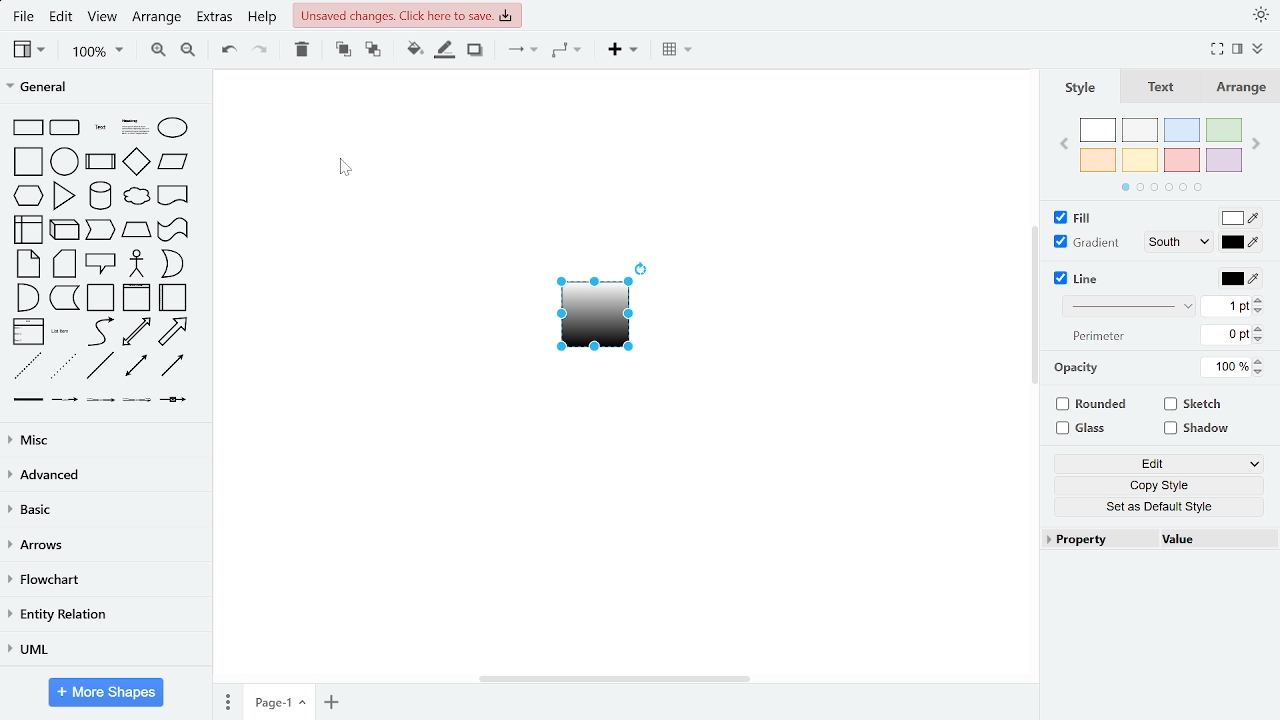 This screenshot has width=1280, height=720. Describe the element at coordinates (103, 17) in the screenshot. I see `view` at that location.